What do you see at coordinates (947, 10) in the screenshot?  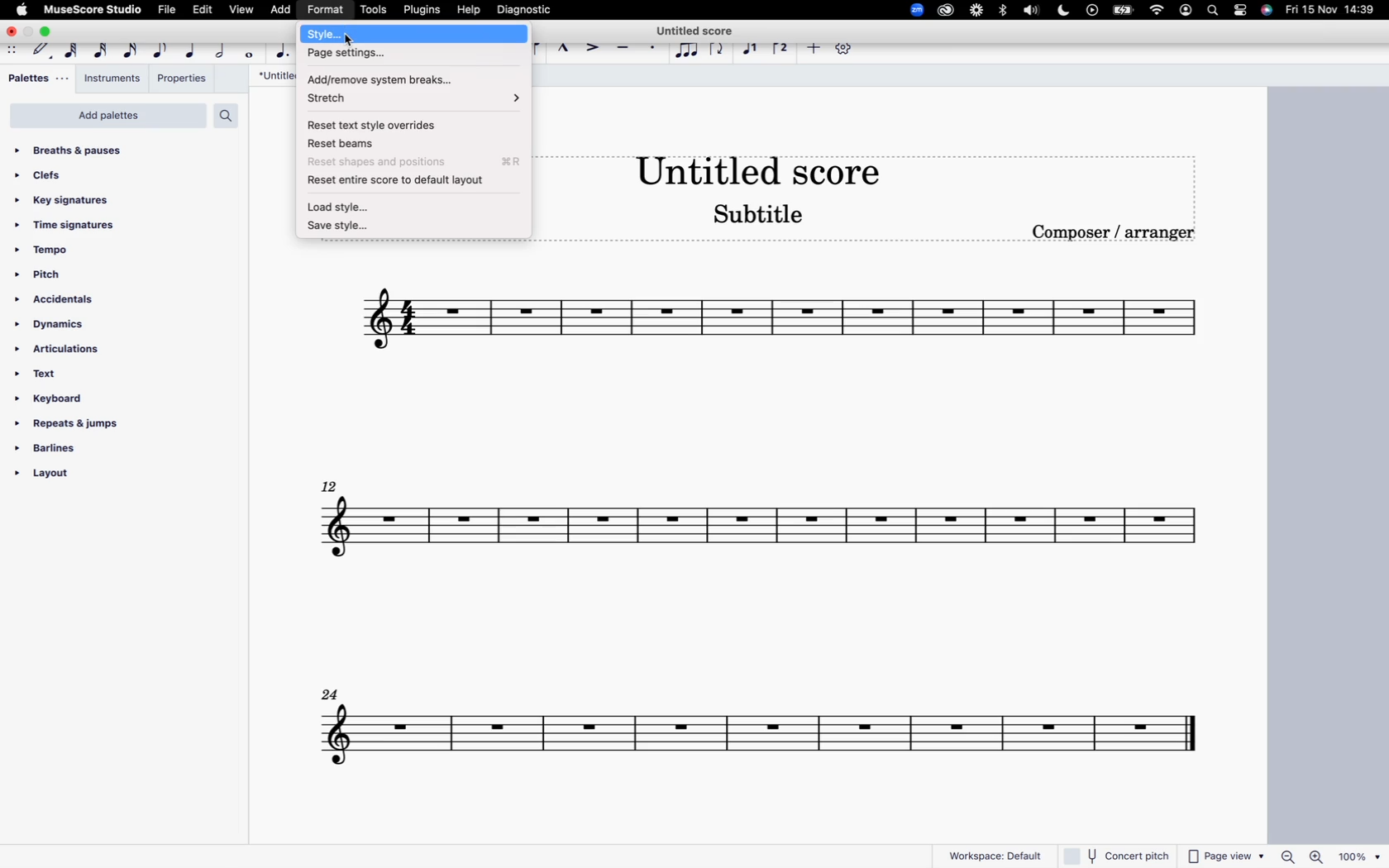 I see `creative cloud` at bounding box center [947, 10].